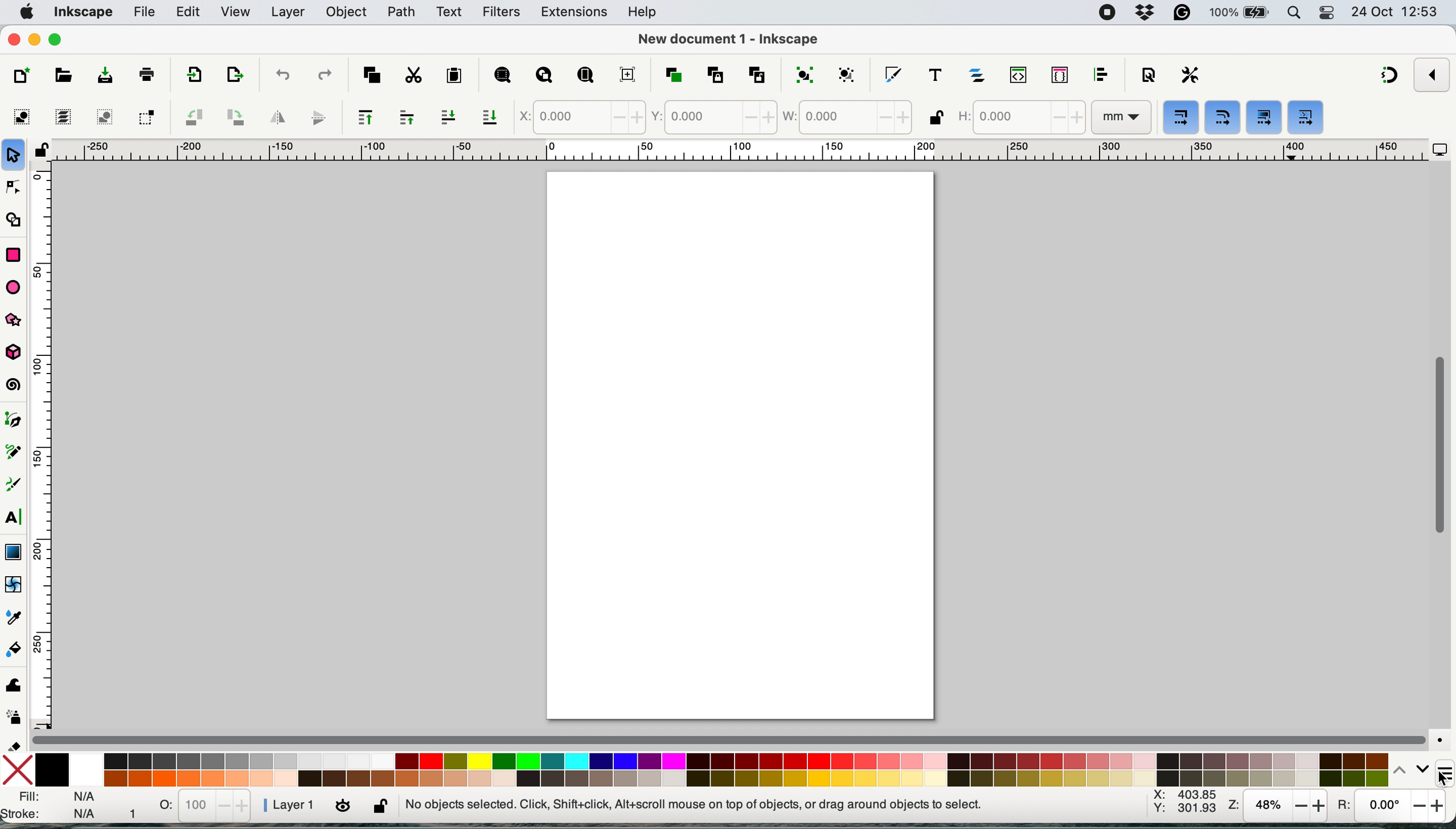 The height and width of the screenshot is (829, 1456). I want to click on duplicate, so click(671, 74).